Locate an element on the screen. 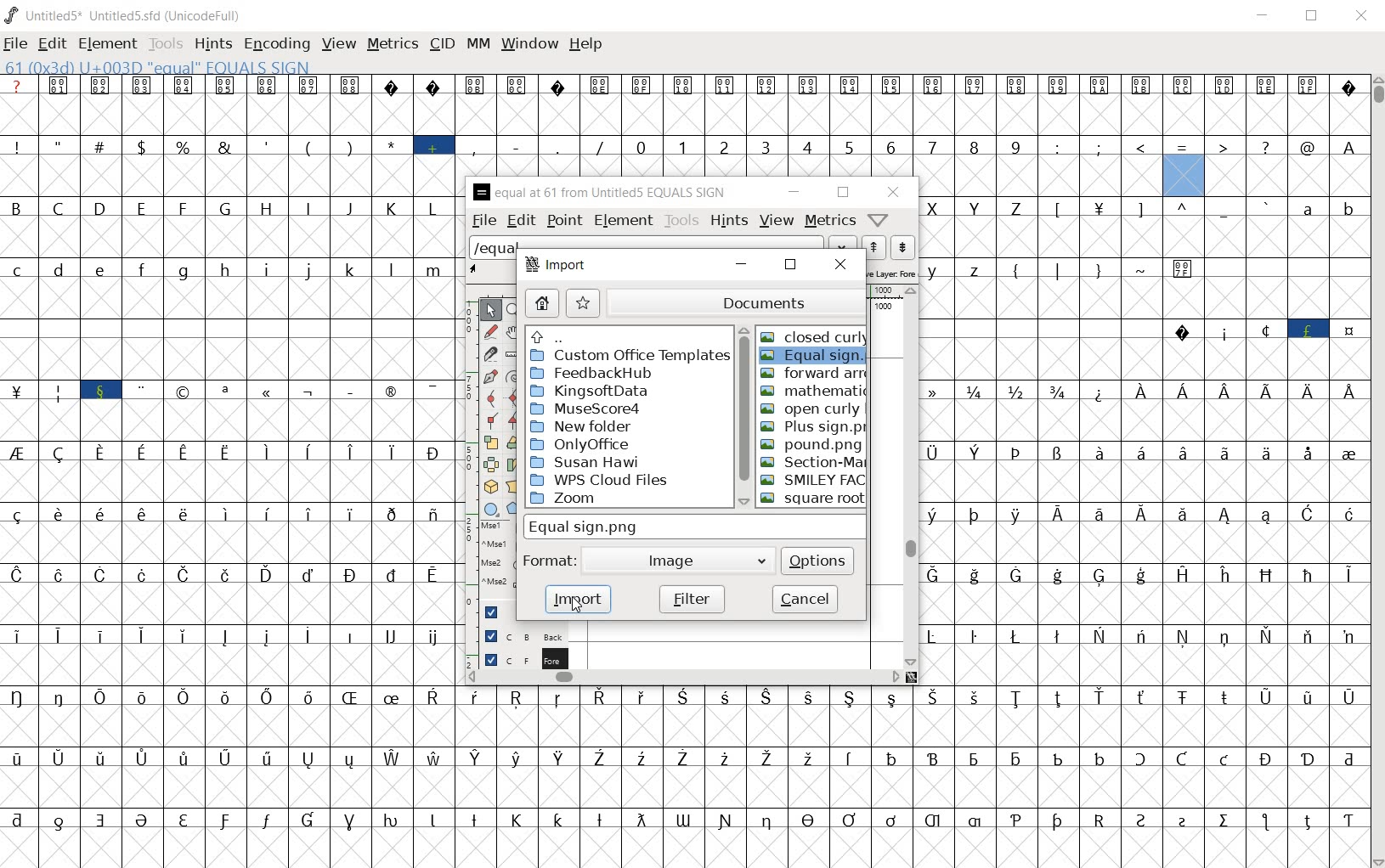 Image resolution: width=1385 pixels, height=868 pixels. filter is located at coordinates (691, 598).